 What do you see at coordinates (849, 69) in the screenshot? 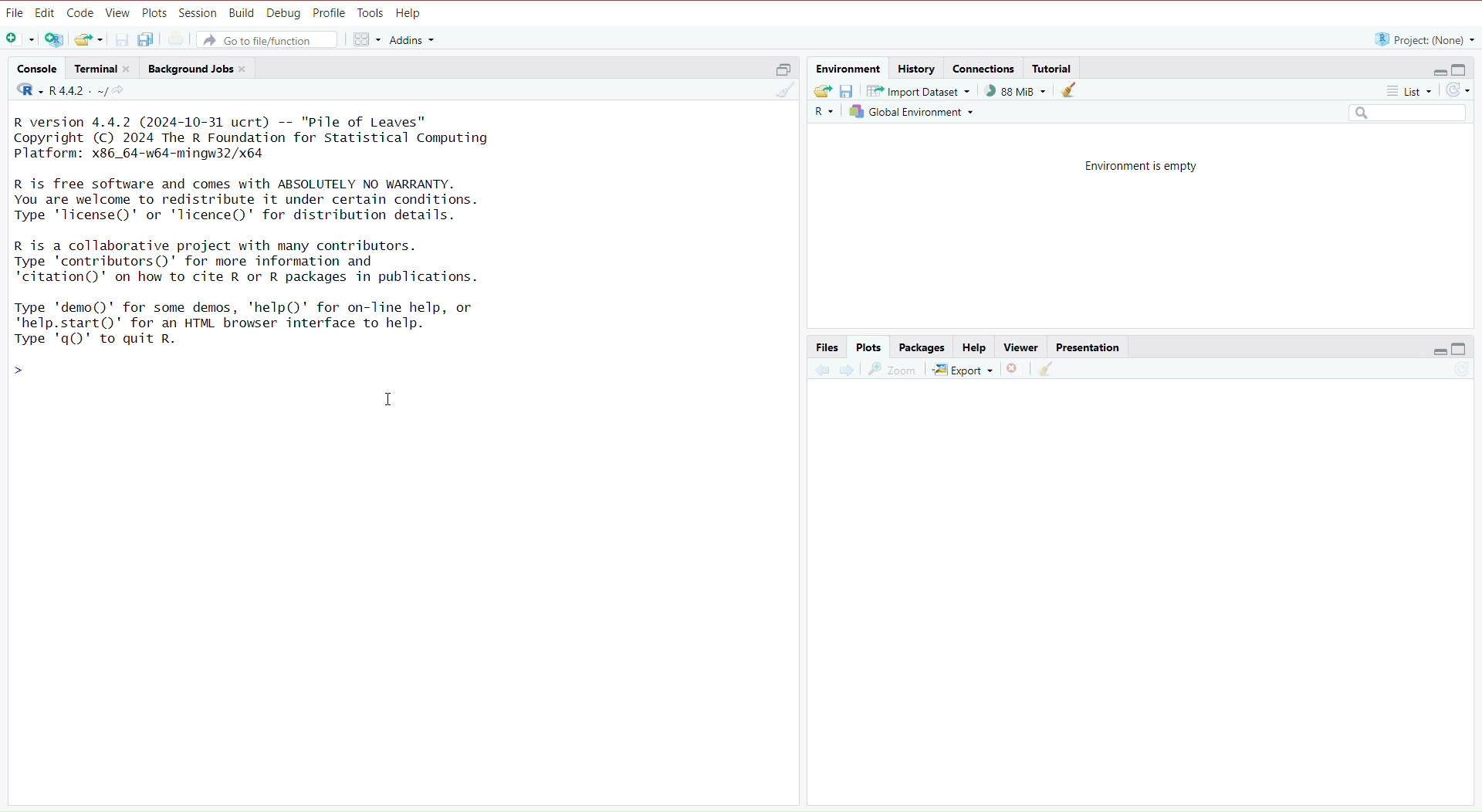
I see `environment` at bounding box center [849, 69].